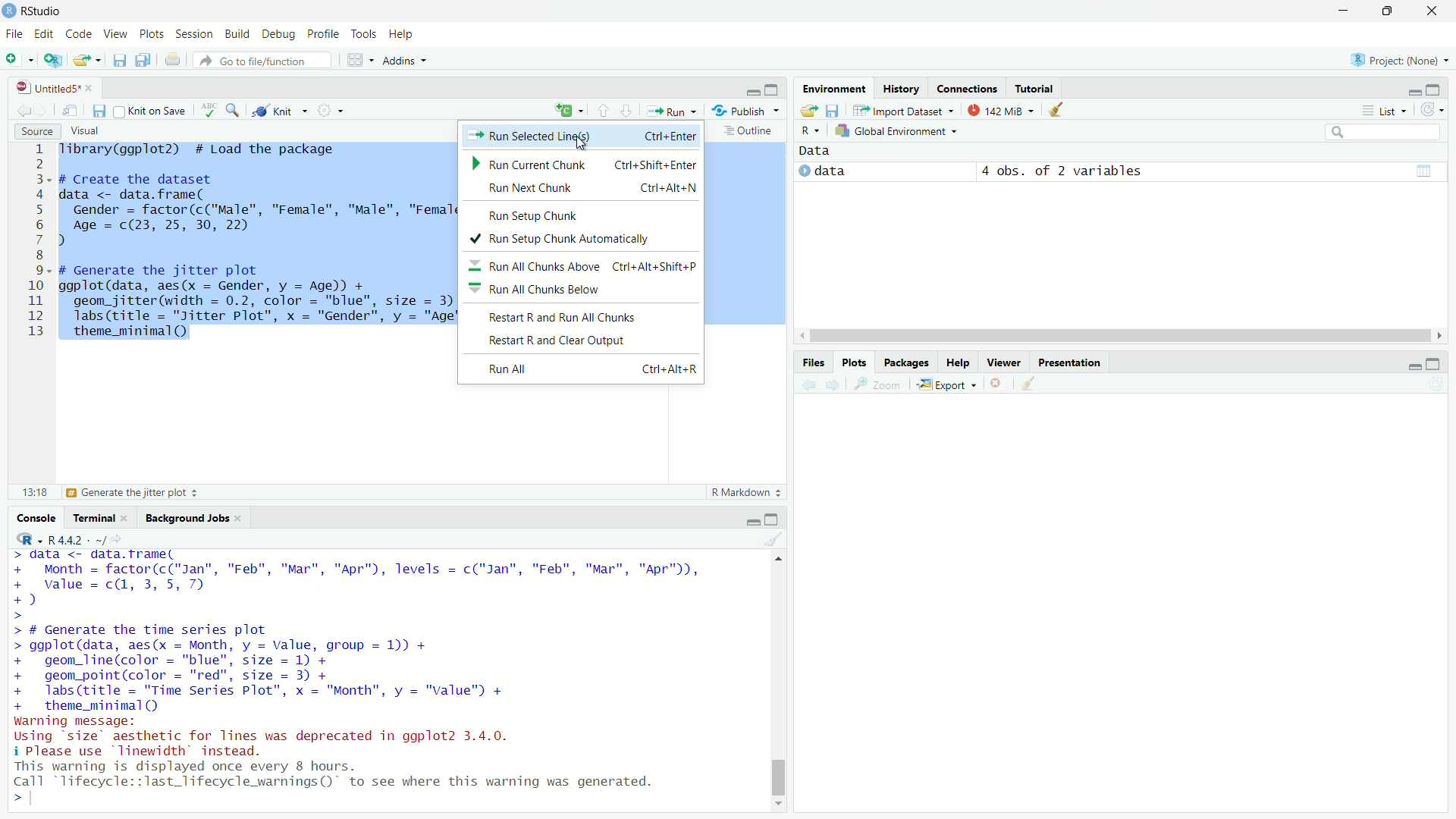 The height and width of the screenshot is (819, 1456). What do you see at coordinates (129, 517) in the screenshot?
I see `close` at bounding box center [129, 517].